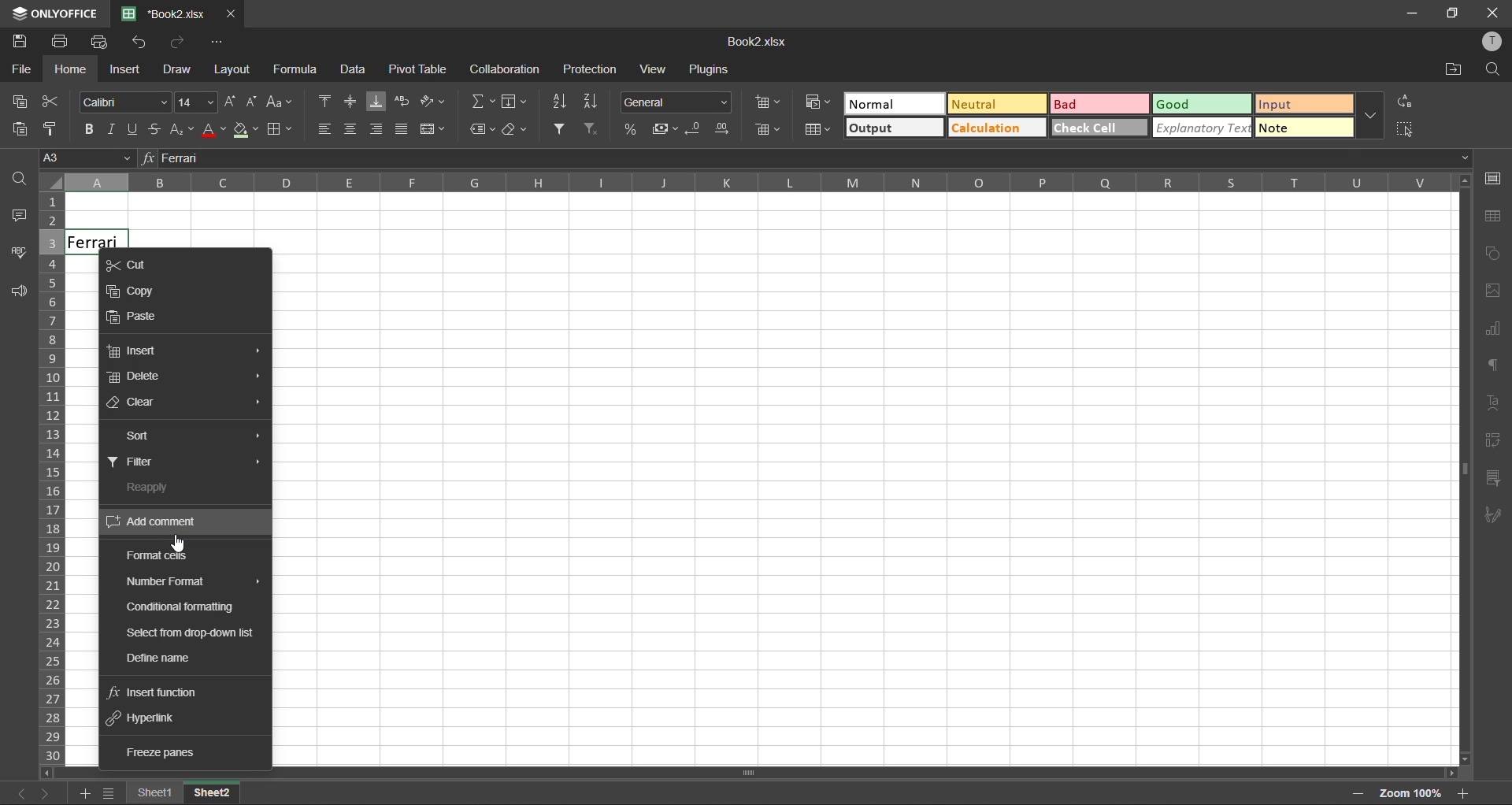 This screenshot has height=805, width=1512. I want to click on output, so click(892, 128).